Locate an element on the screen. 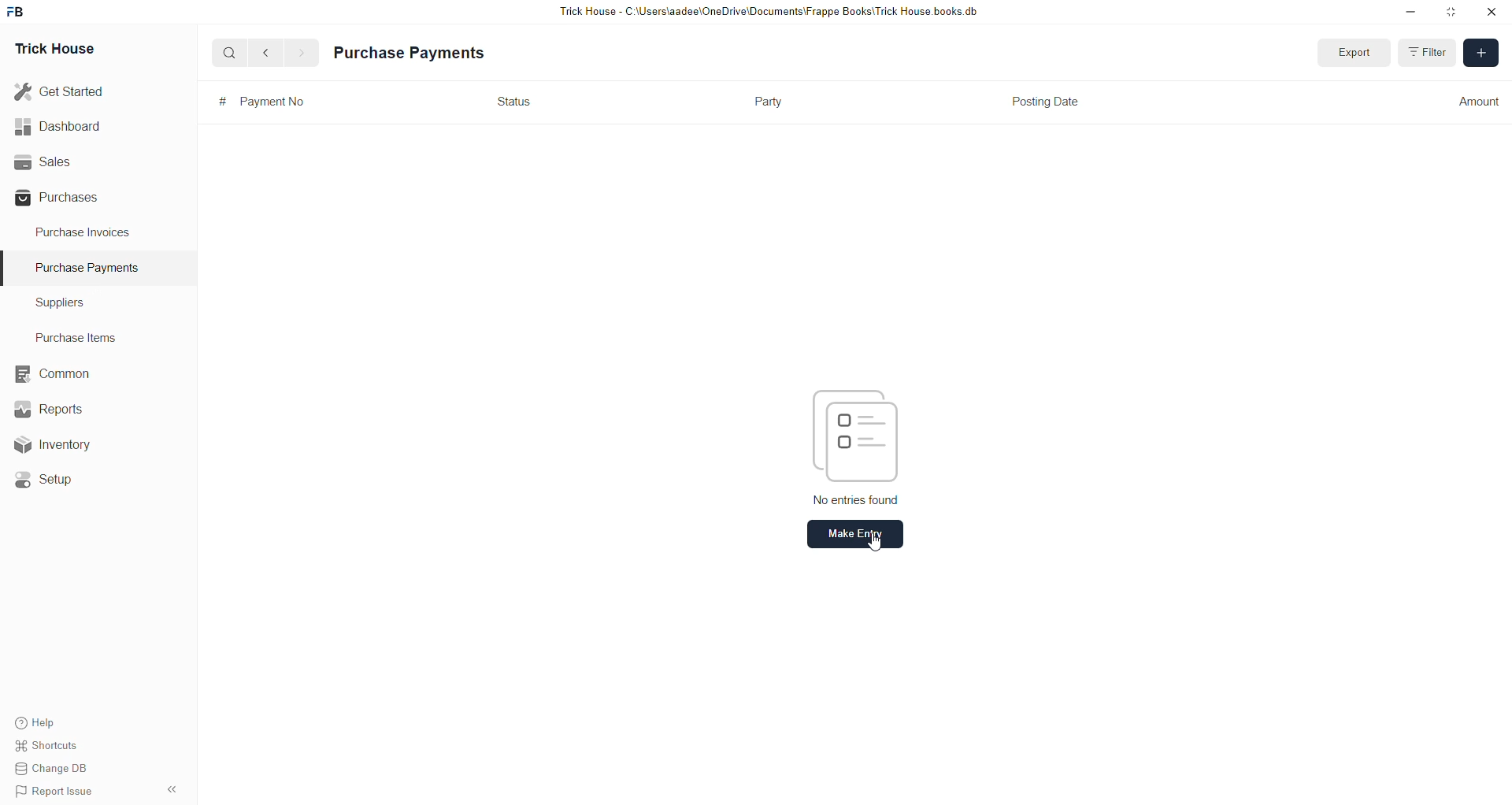 The image size is (1512, 805). Purchase Payments is located at coordinates (410, 52).